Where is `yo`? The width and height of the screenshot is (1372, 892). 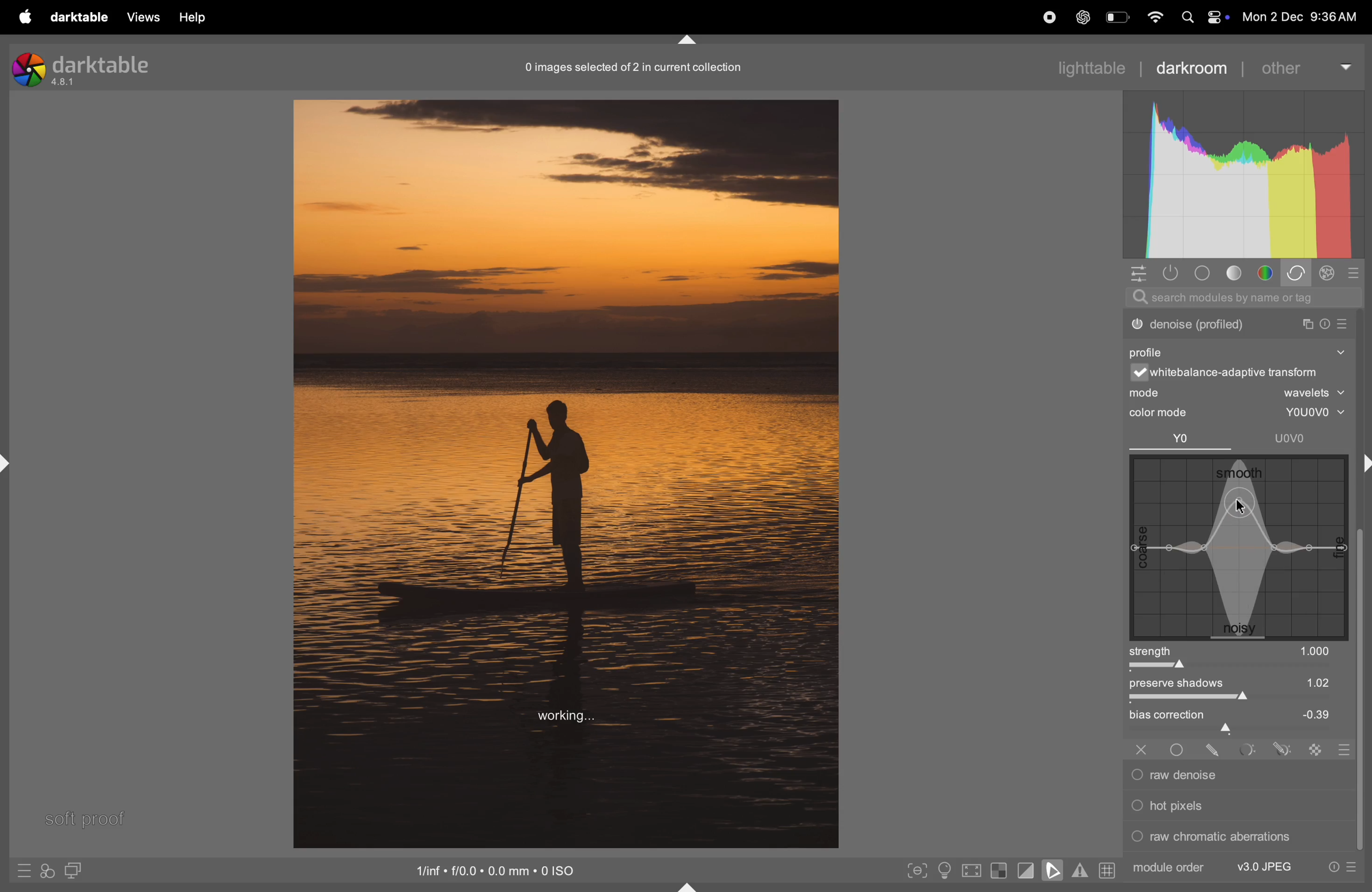
yo is located at coordinates (1182, 440).